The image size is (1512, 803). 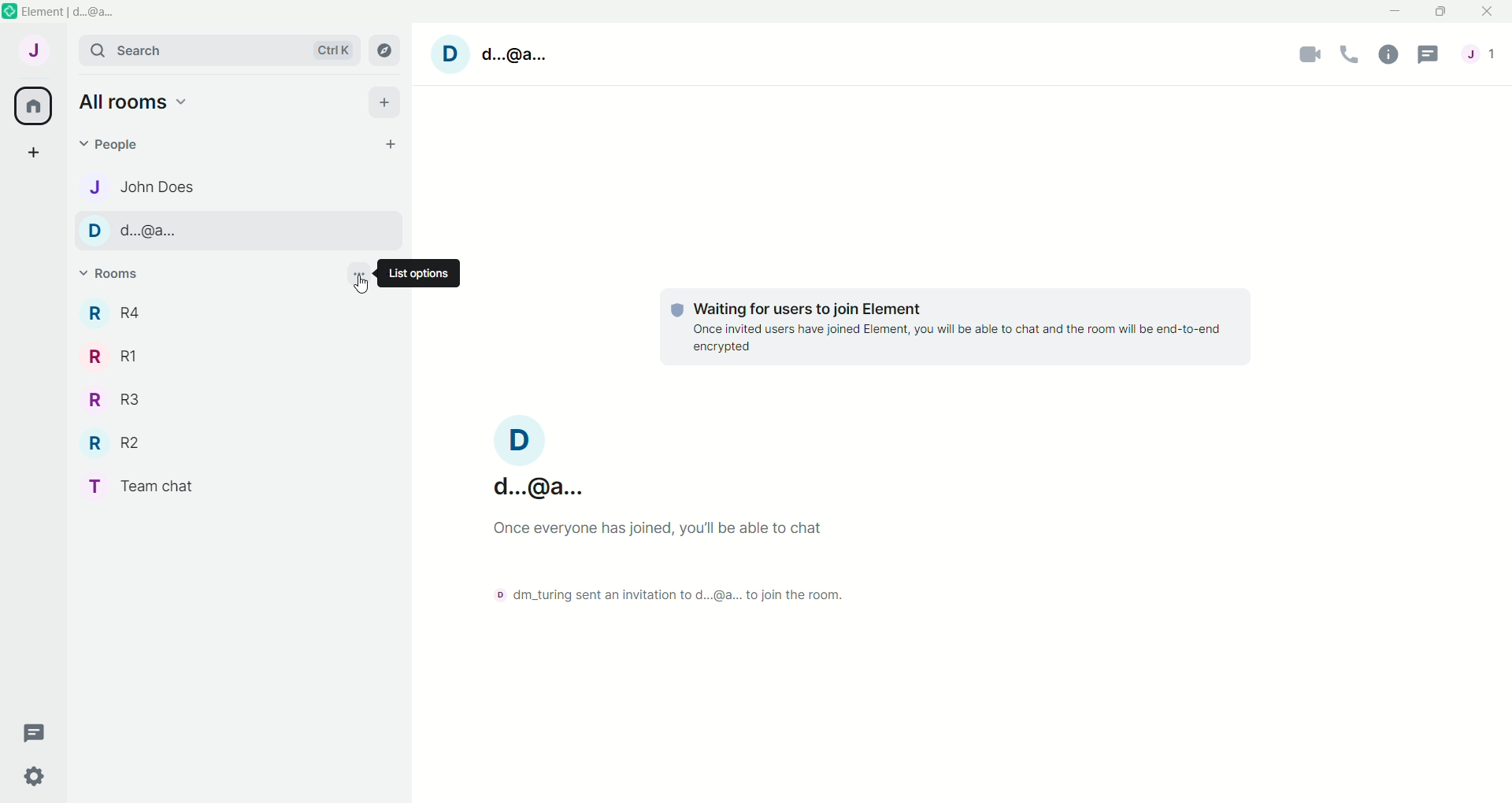 What do you see at coordinates (676, 594) in the screenshot?
I see `D dm_turing sent an invitation to d...@a... to join the room.` at bounding box center [676, 594].